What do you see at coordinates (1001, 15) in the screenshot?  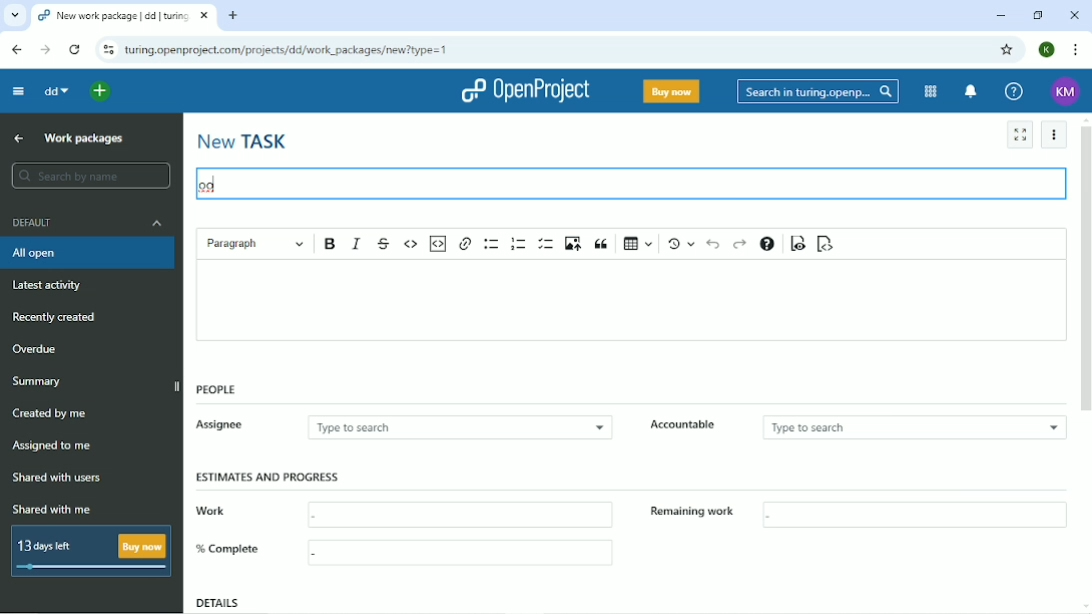 I see `Minimize` at bounding box center [1001, 15].